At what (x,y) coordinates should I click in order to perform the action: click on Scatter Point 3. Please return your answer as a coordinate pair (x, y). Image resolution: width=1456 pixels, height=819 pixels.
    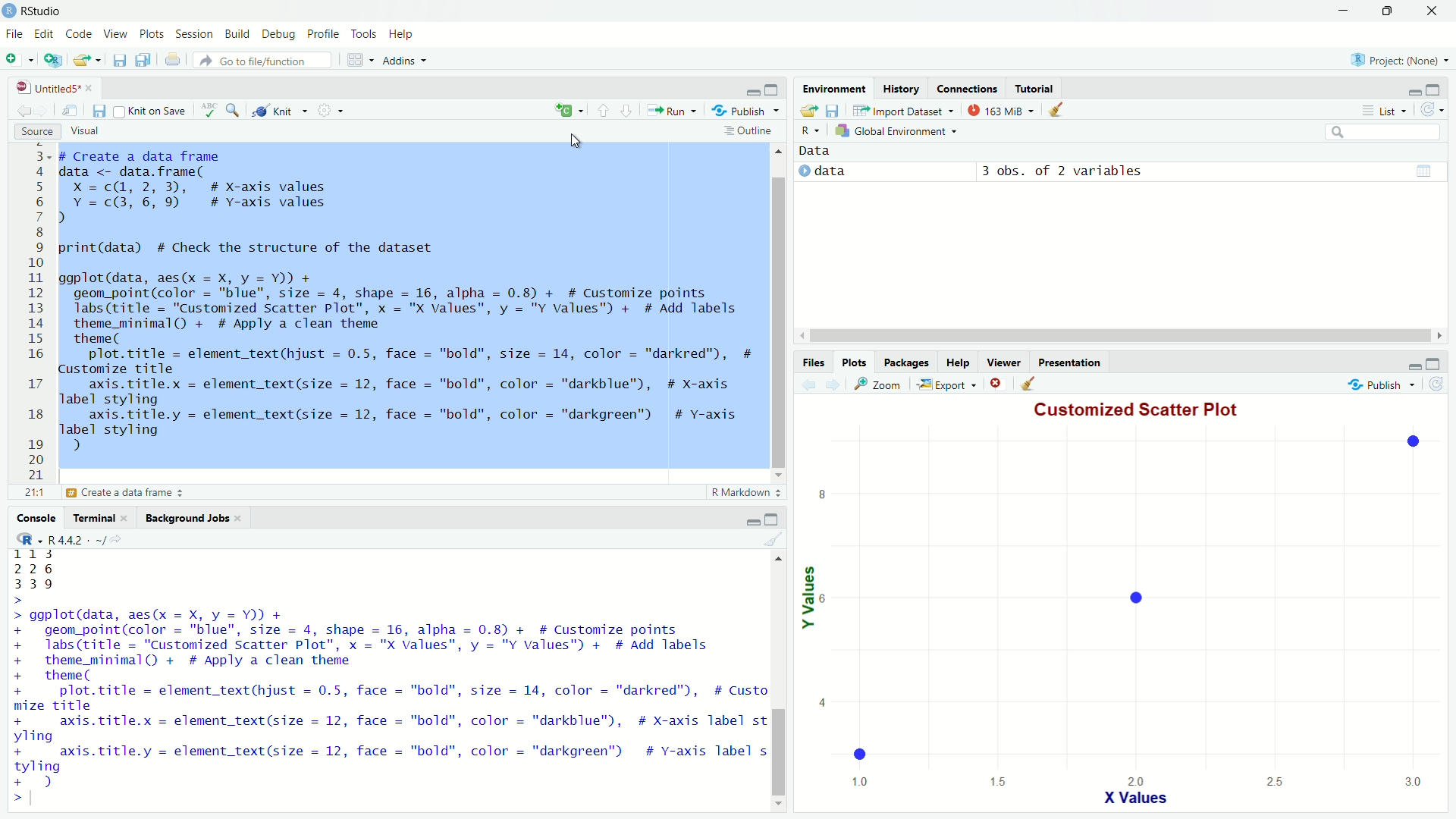
    Looking at the image, I should click on (859, 752).